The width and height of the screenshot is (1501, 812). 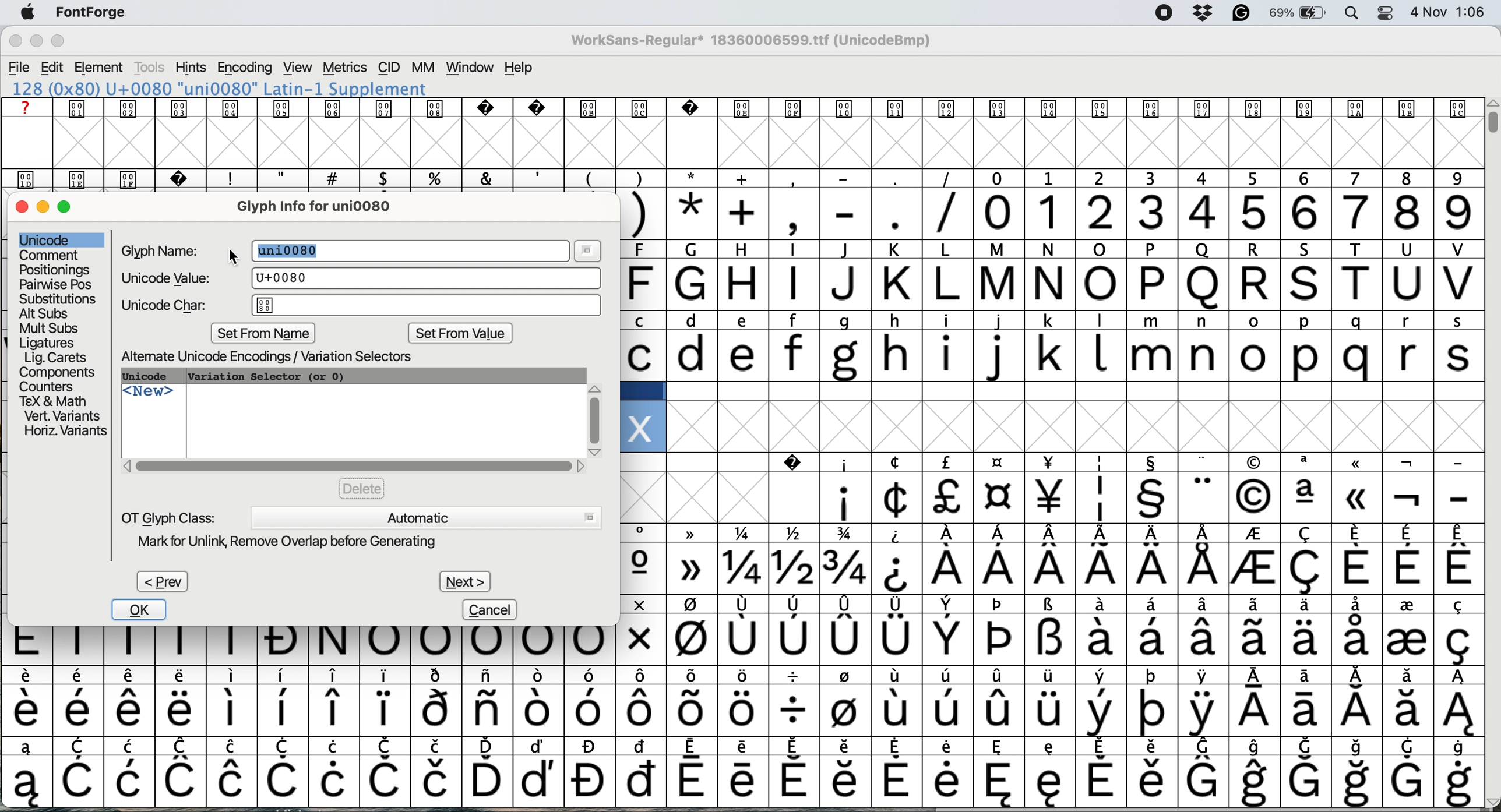 I want to click on unicode, so click(x=47, y=239).